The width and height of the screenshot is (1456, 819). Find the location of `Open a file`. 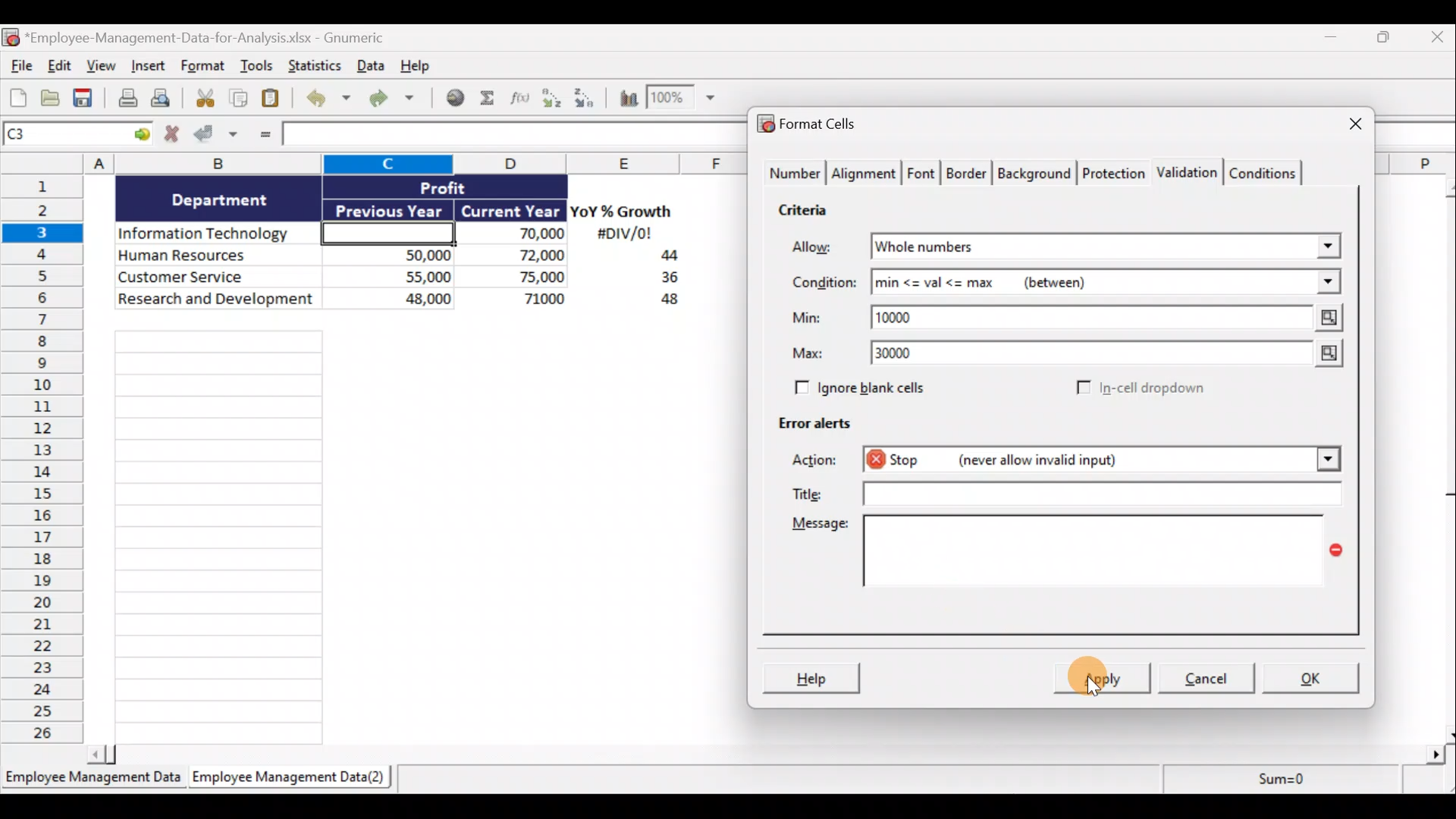

Open a file is located at coordinates (51, 99).